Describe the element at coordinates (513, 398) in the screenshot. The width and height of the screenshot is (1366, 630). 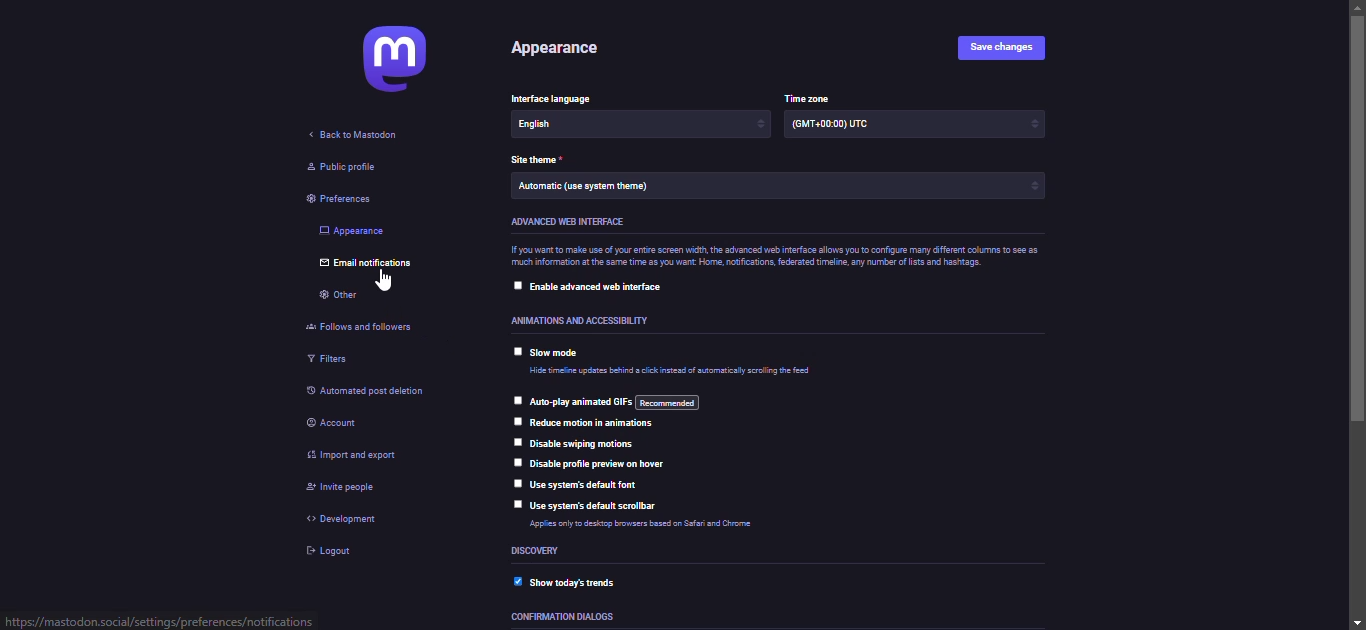
I see `click to select` at that location.